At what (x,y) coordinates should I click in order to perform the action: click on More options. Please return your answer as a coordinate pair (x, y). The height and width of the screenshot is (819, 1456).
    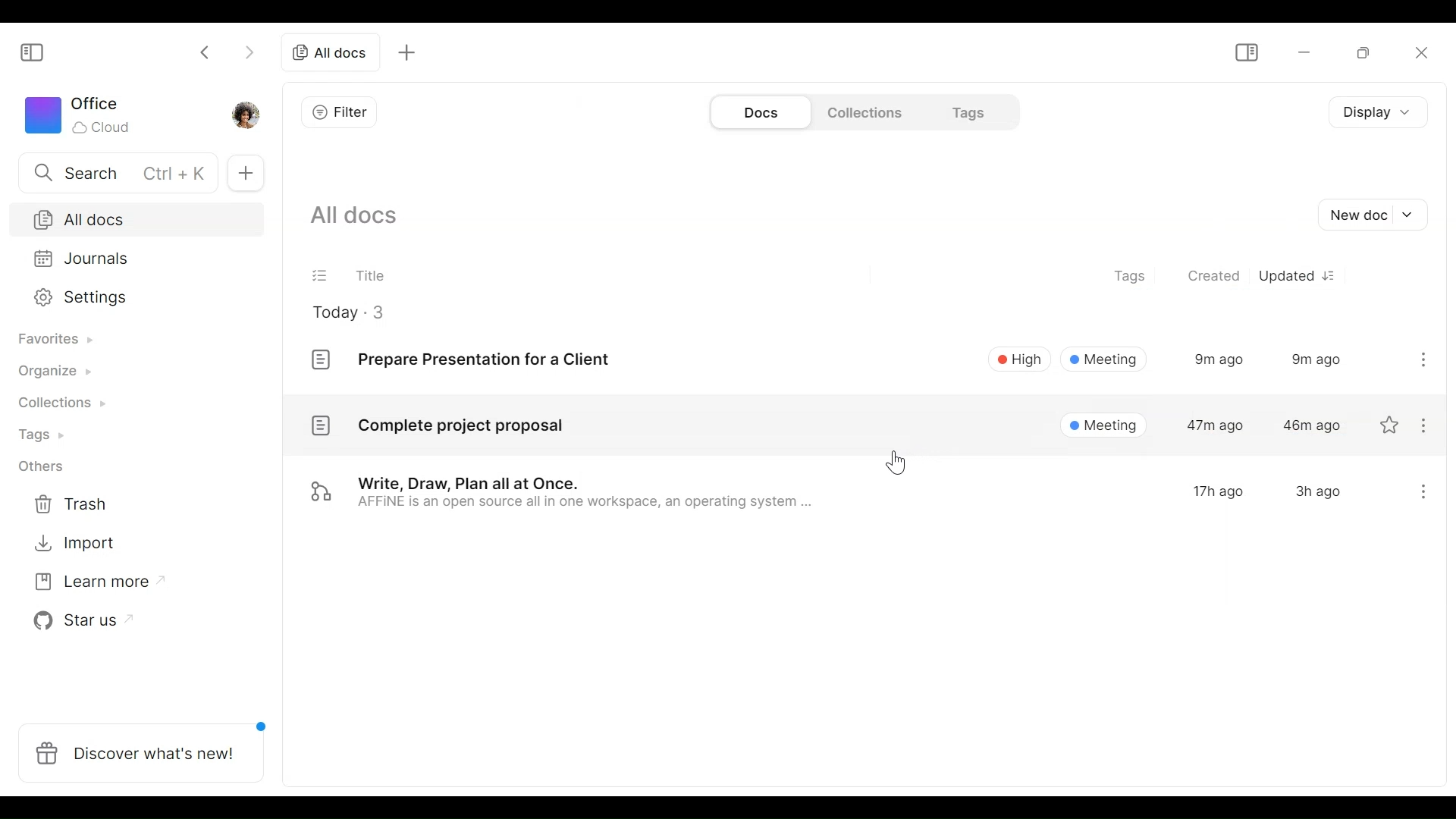
    Looking at the image, I should click on (1420, 359).